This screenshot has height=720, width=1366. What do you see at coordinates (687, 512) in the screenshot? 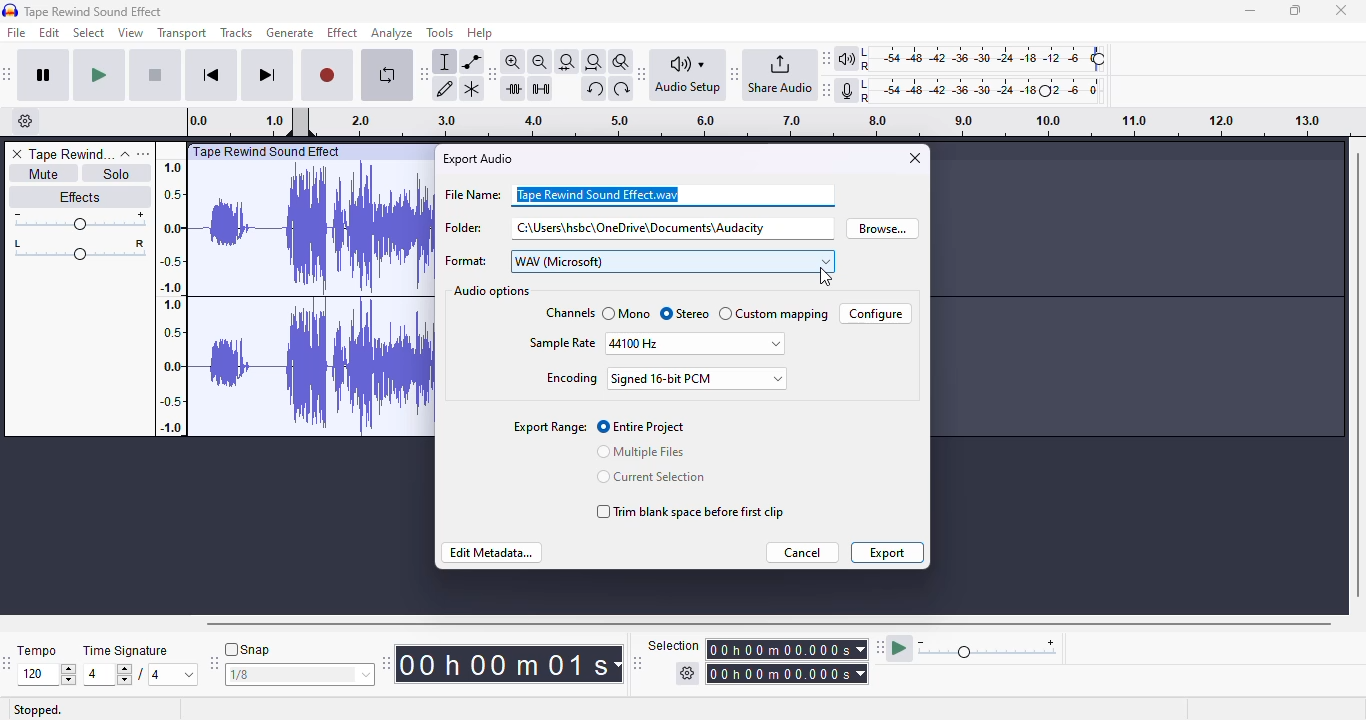
I see `trim blank space before first clip` at bounding box center [687, 512].